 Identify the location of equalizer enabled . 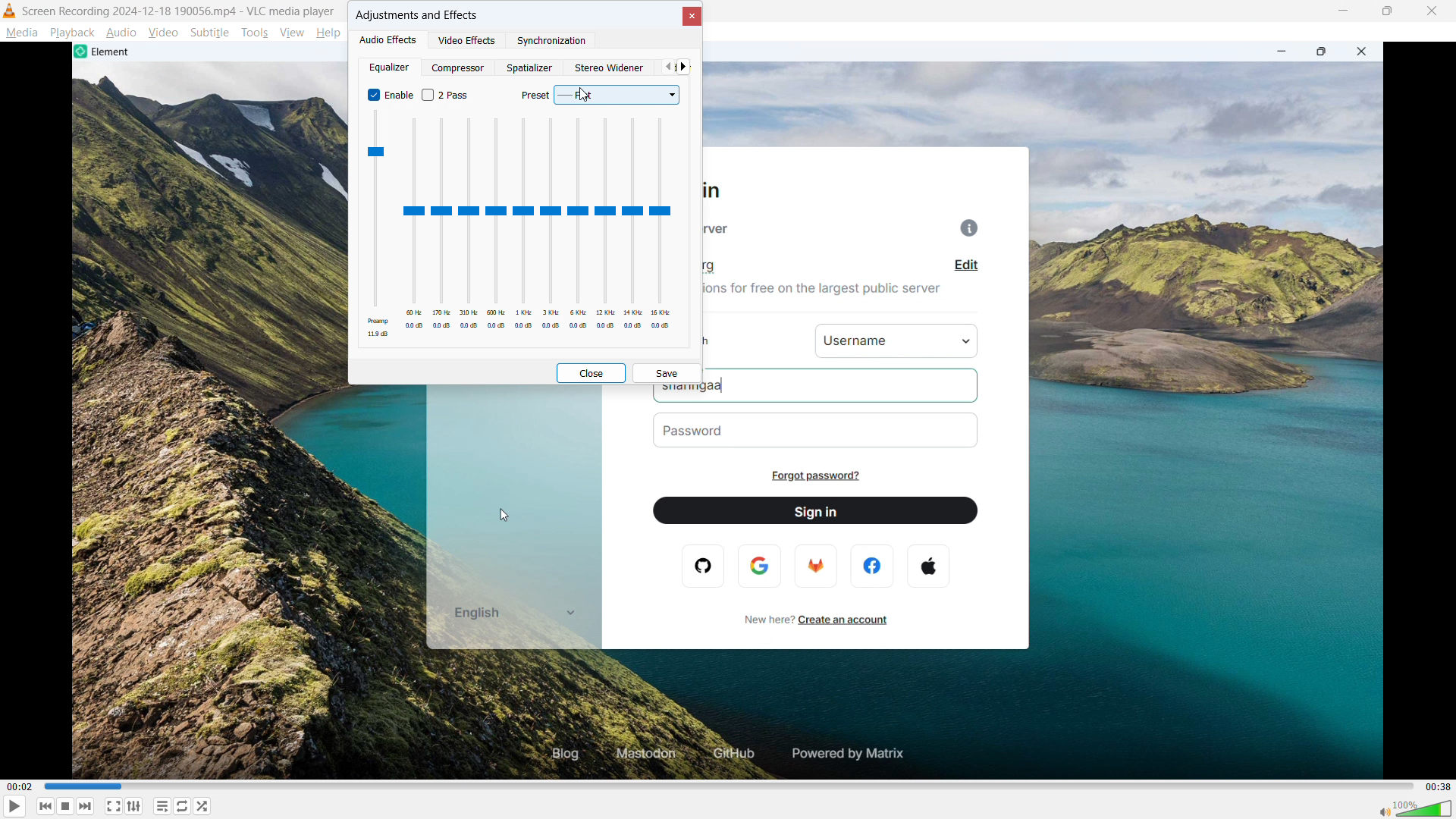
(390, 95).